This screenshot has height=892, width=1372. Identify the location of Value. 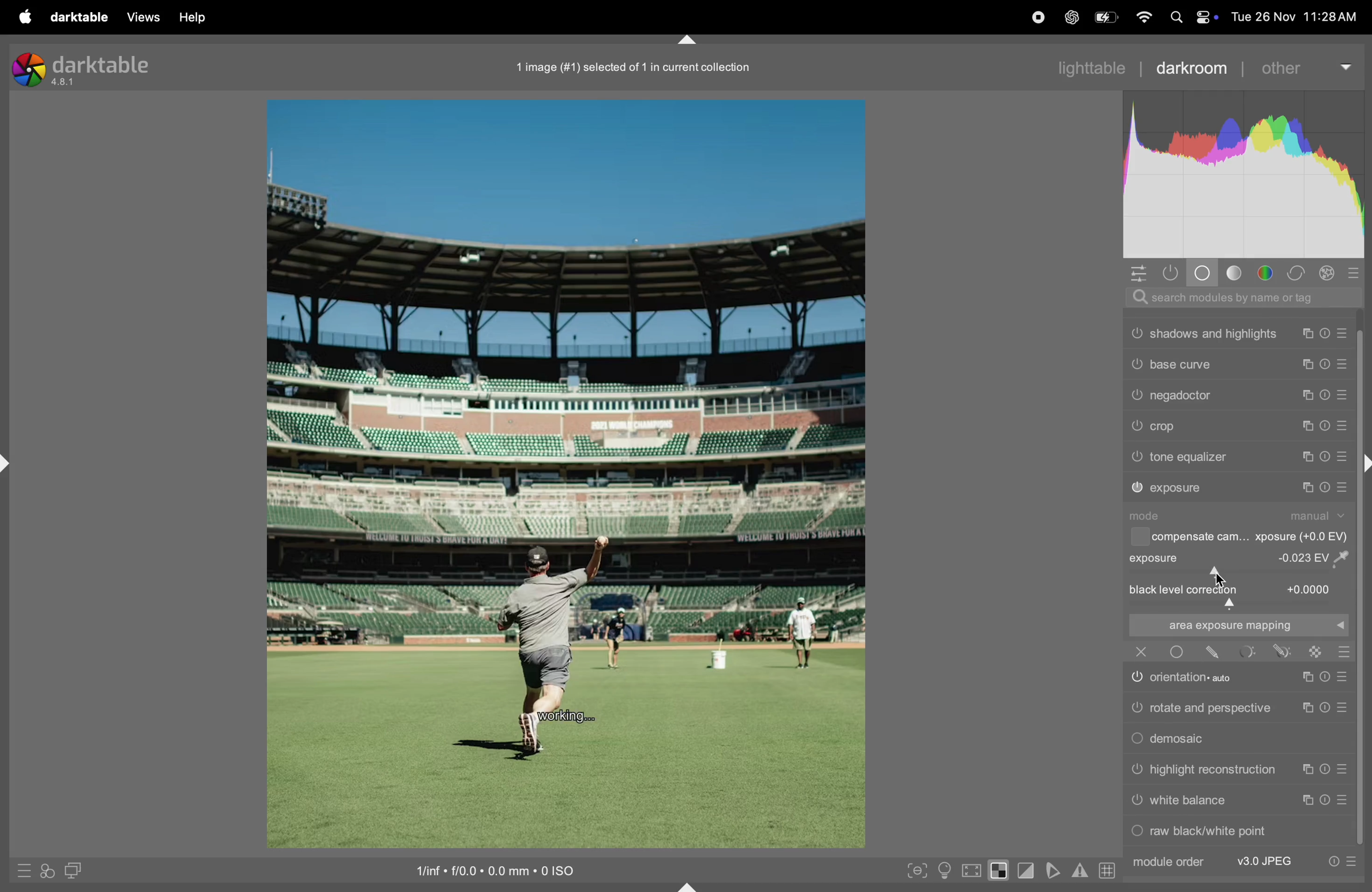
(1317, 557).